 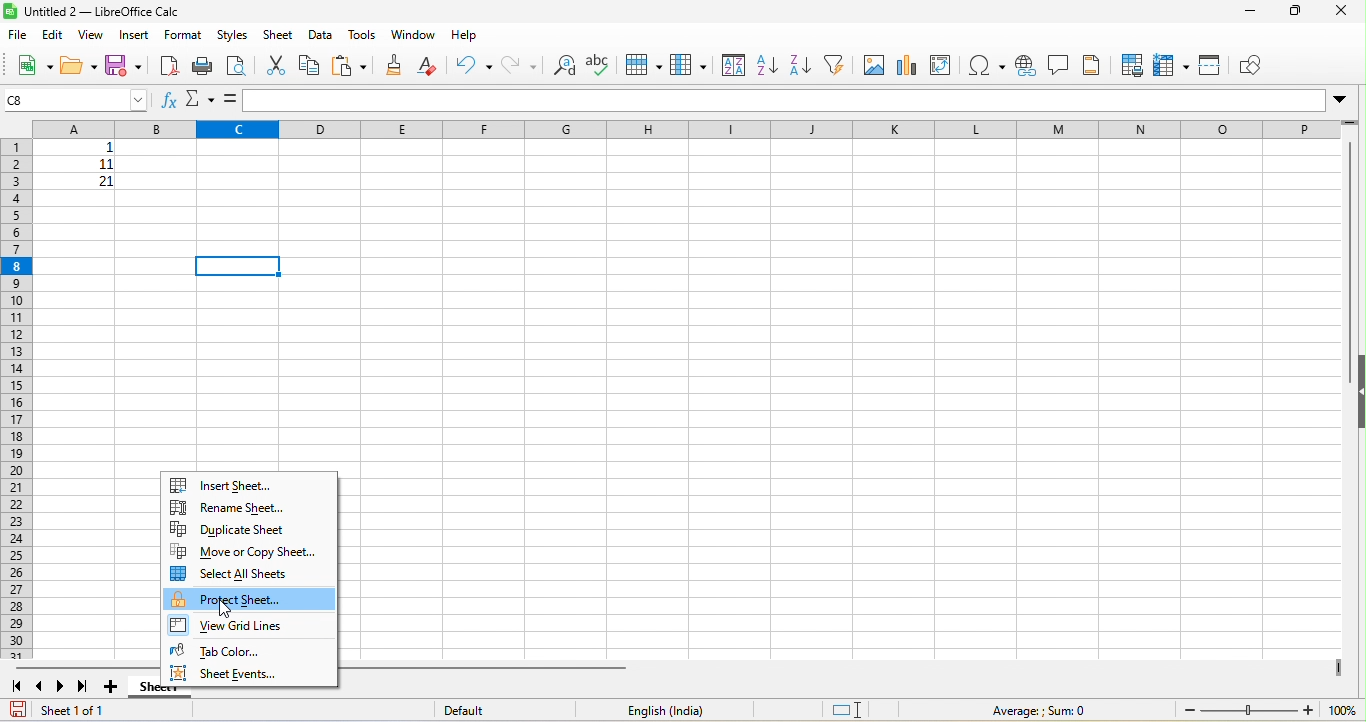 What do you see at coordinates (77, 99) in the screenshot?
I see `selected cell number` at bounding box center [77, 99].